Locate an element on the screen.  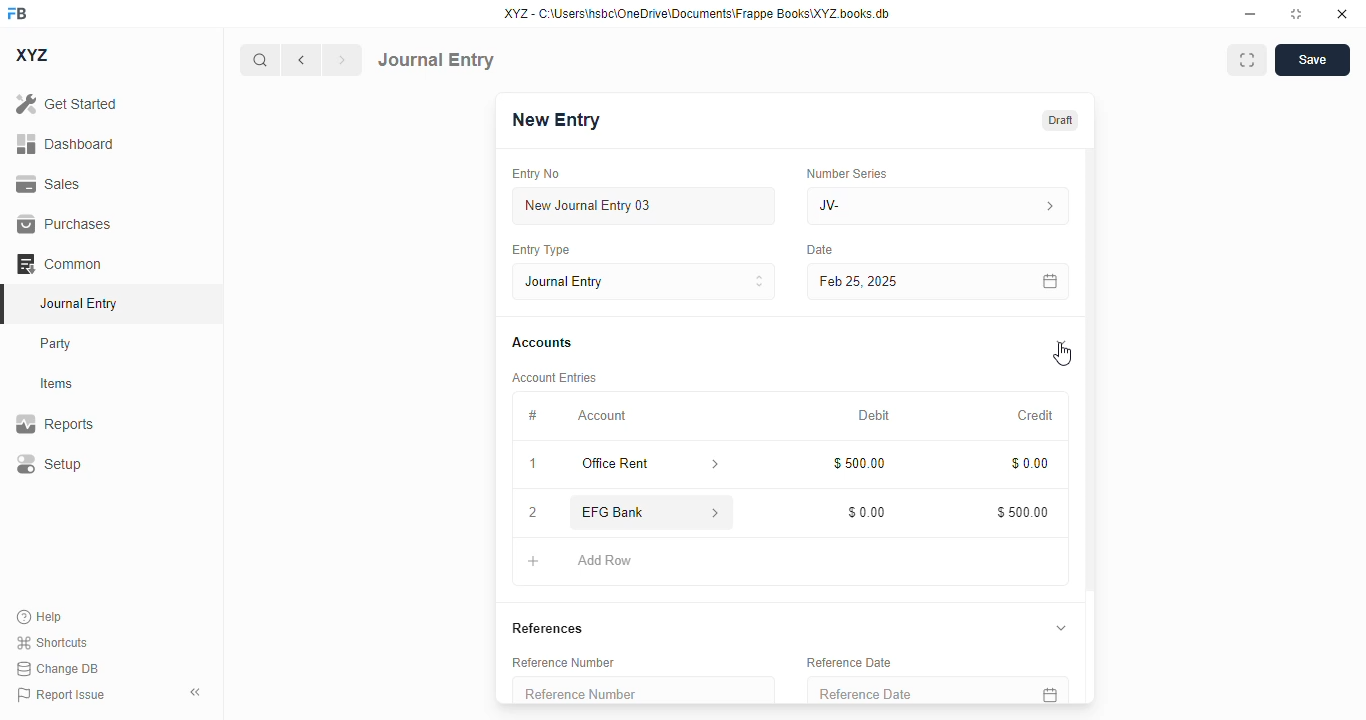
next is located at coordinates (343, 60).